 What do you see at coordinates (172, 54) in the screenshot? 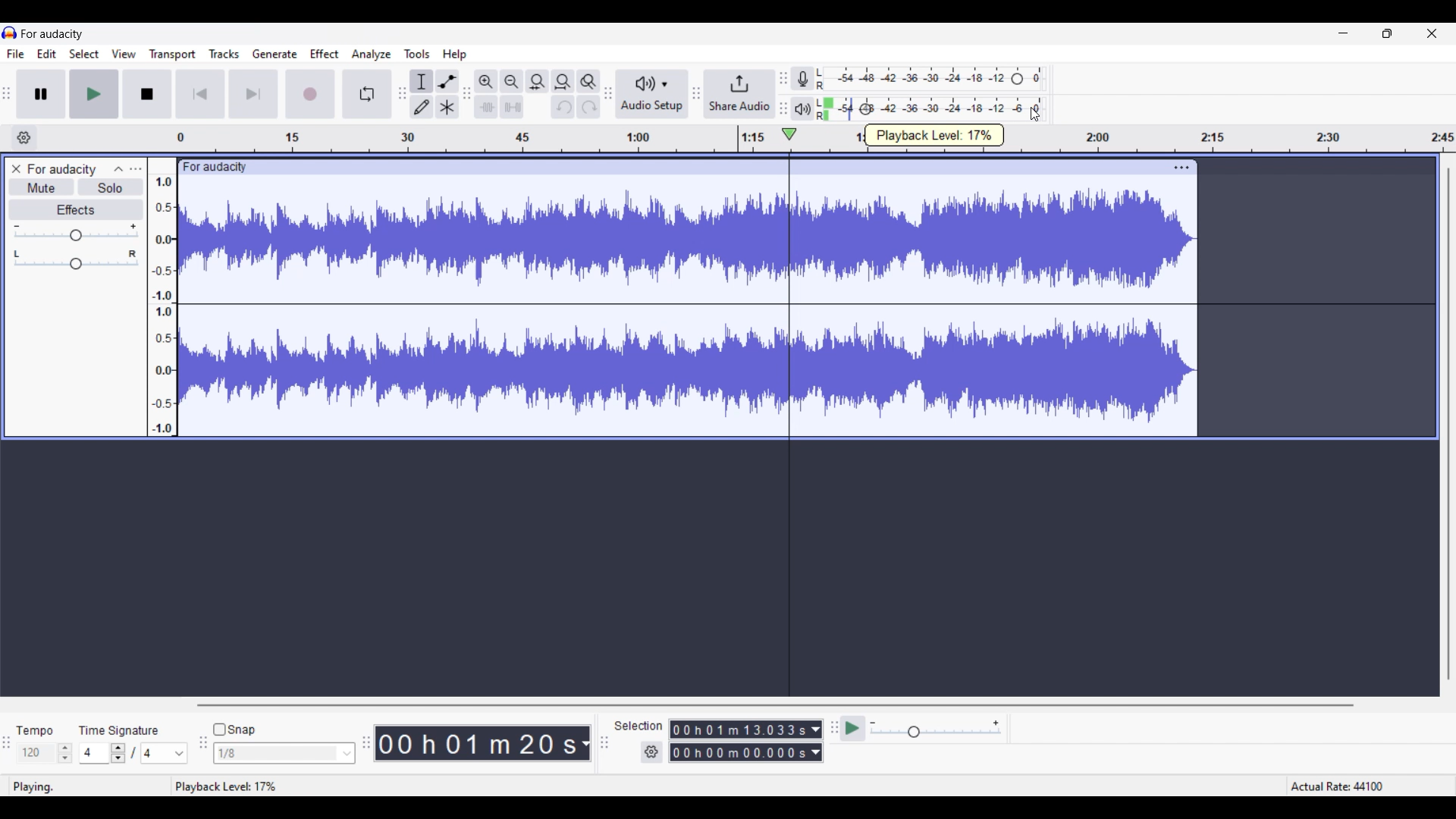
I see `Transport menu` at bounding box center [172, 54].